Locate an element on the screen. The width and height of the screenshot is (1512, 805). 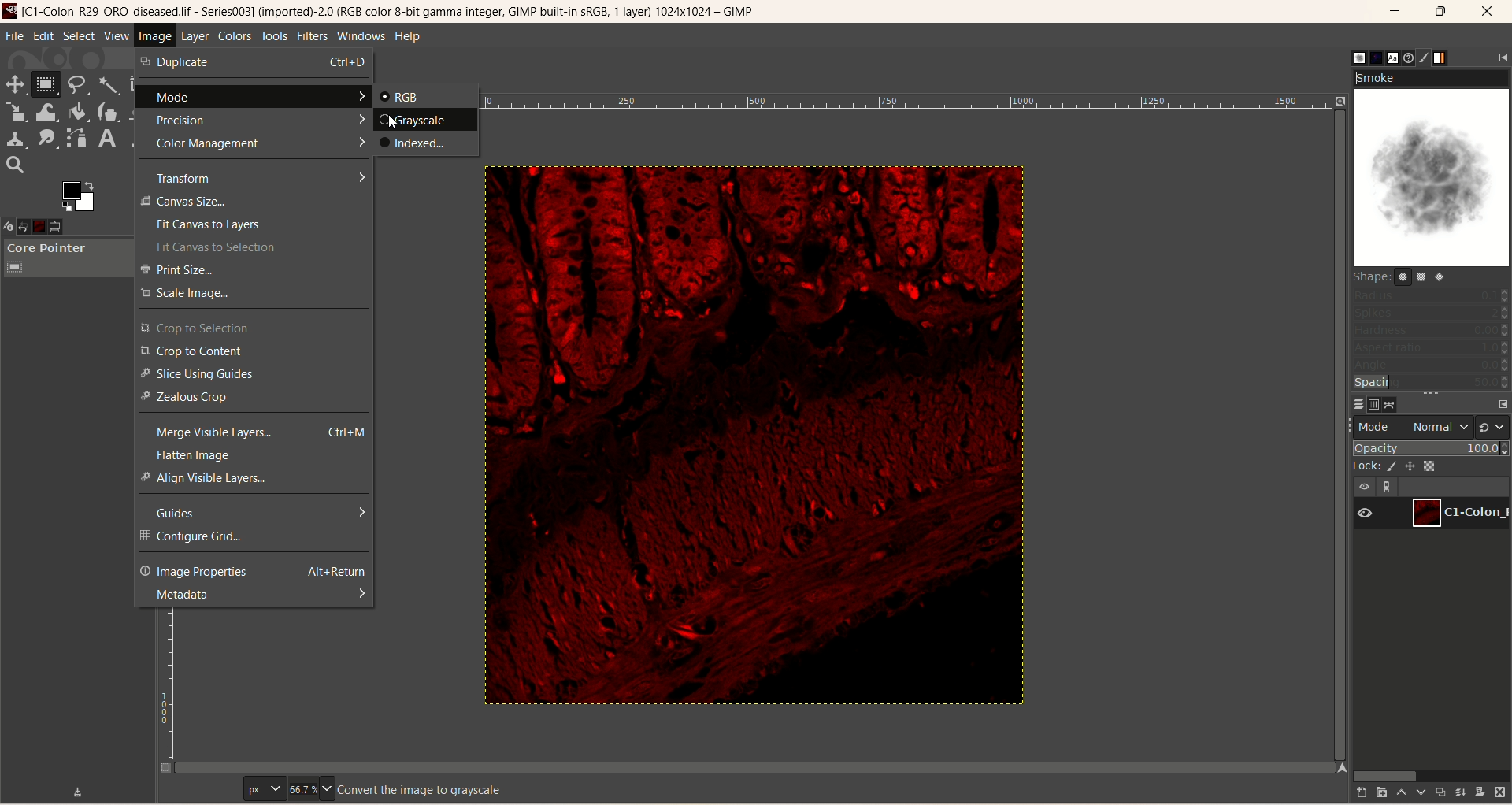
switch to another group of modes is located at coordinates (1493, 426).